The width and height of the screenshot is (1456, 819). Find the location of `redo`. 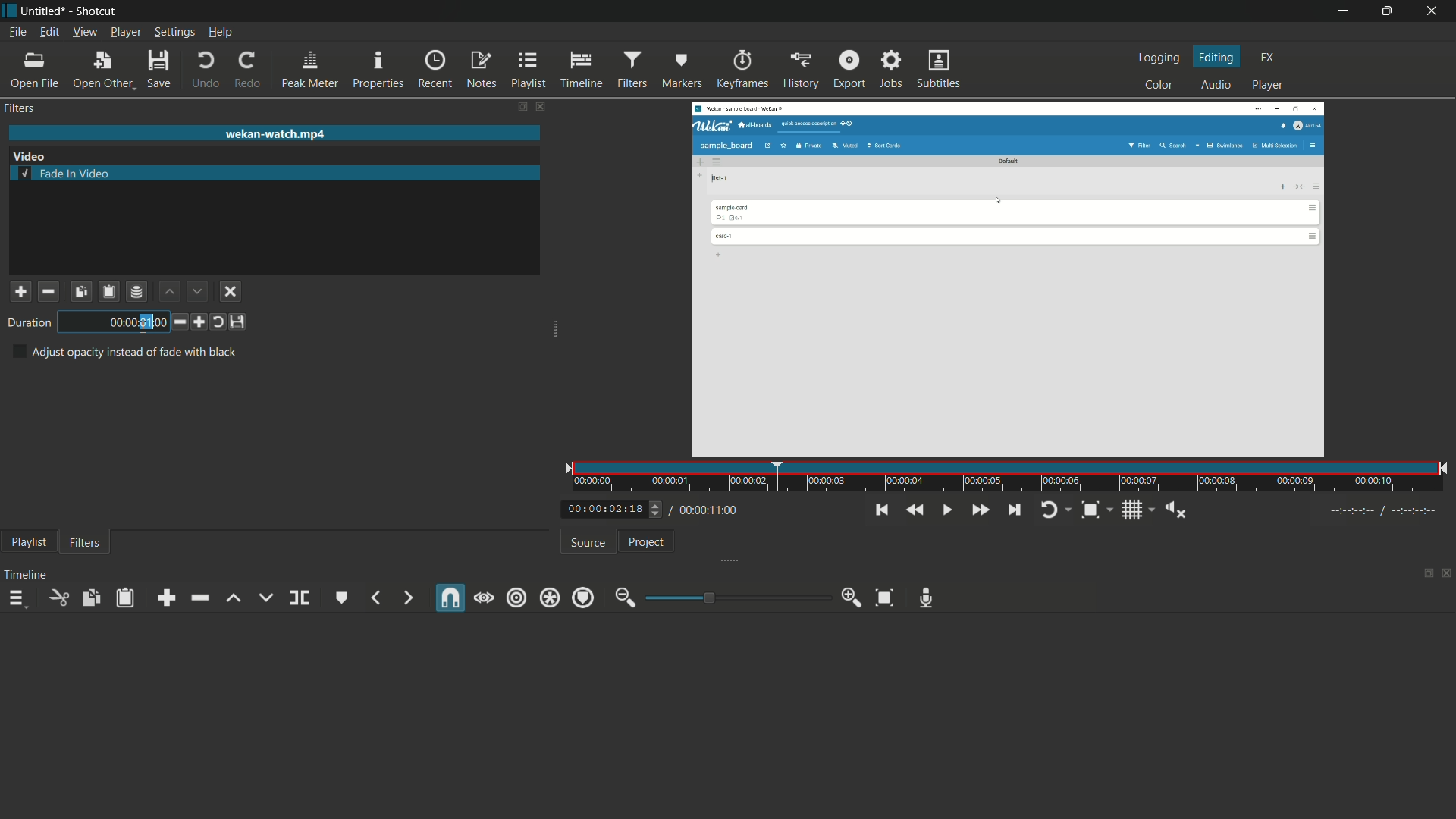

redo is located at coordinates (246, 71).